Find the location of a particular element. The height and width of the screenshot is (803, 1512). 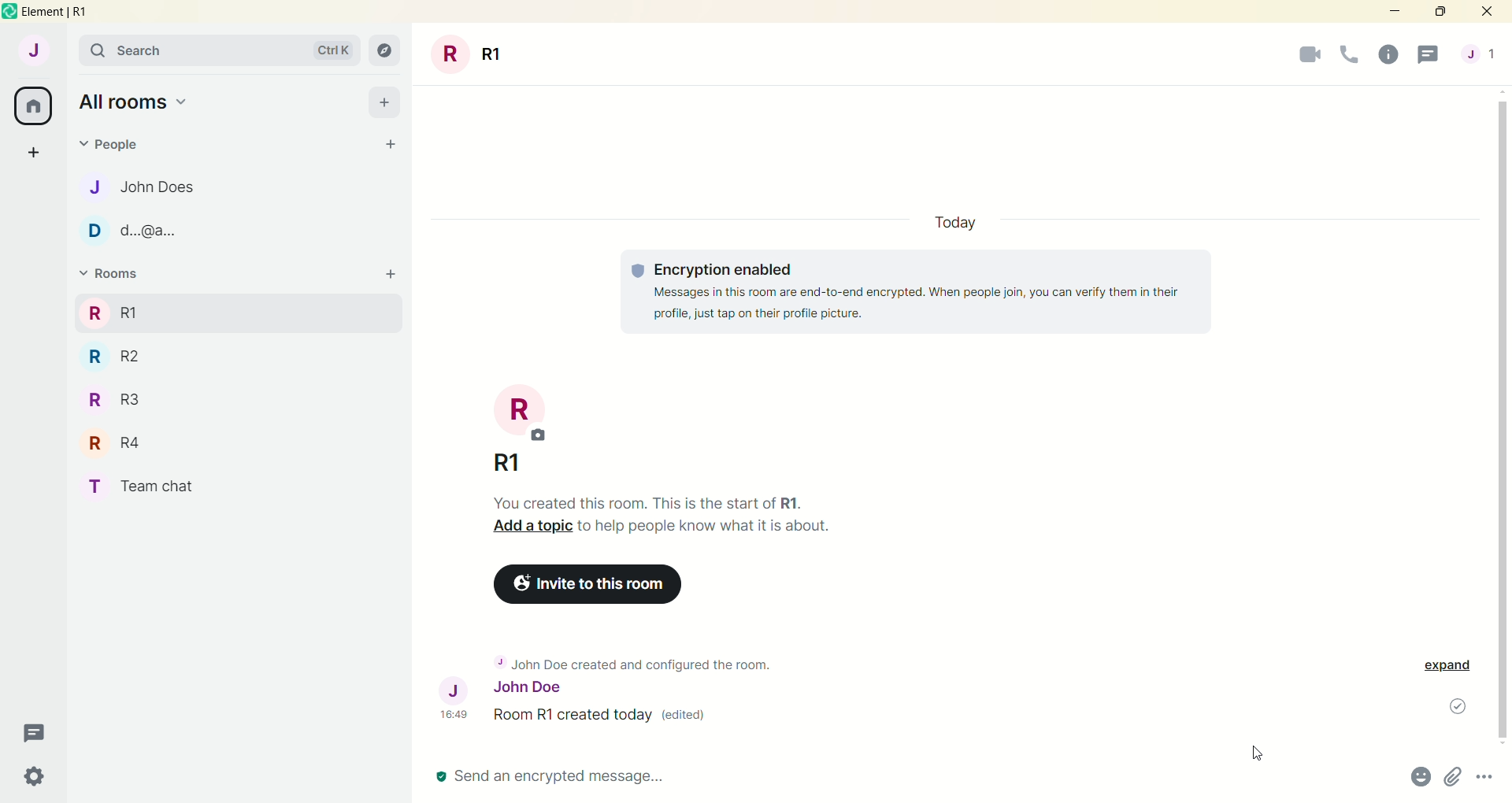

threads is located at coordinates (39, 730).